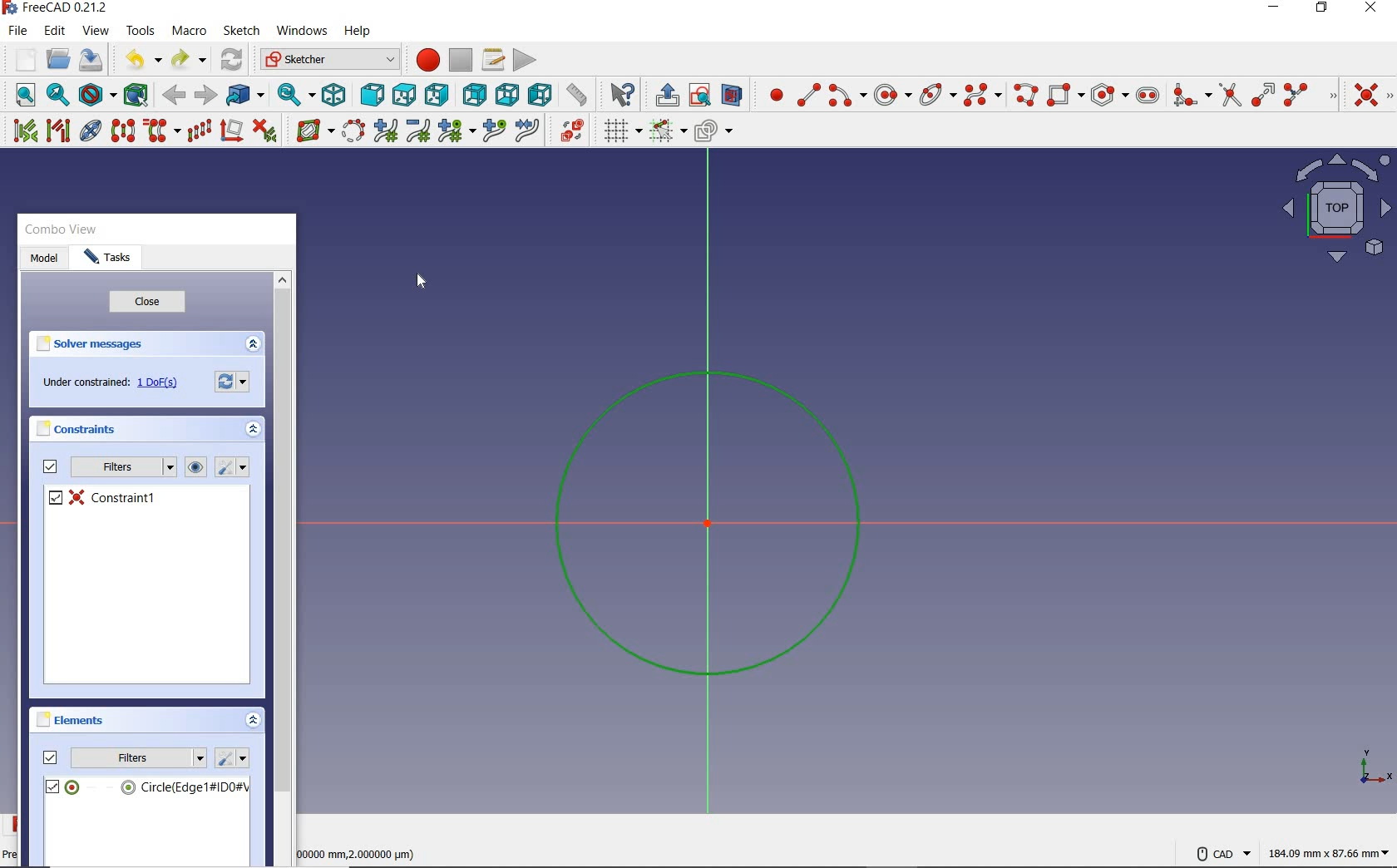 The image size is (1397, 868). Describe the element at coordinates (893, 97) in the screenshot. I see `center & rim point` at that location.